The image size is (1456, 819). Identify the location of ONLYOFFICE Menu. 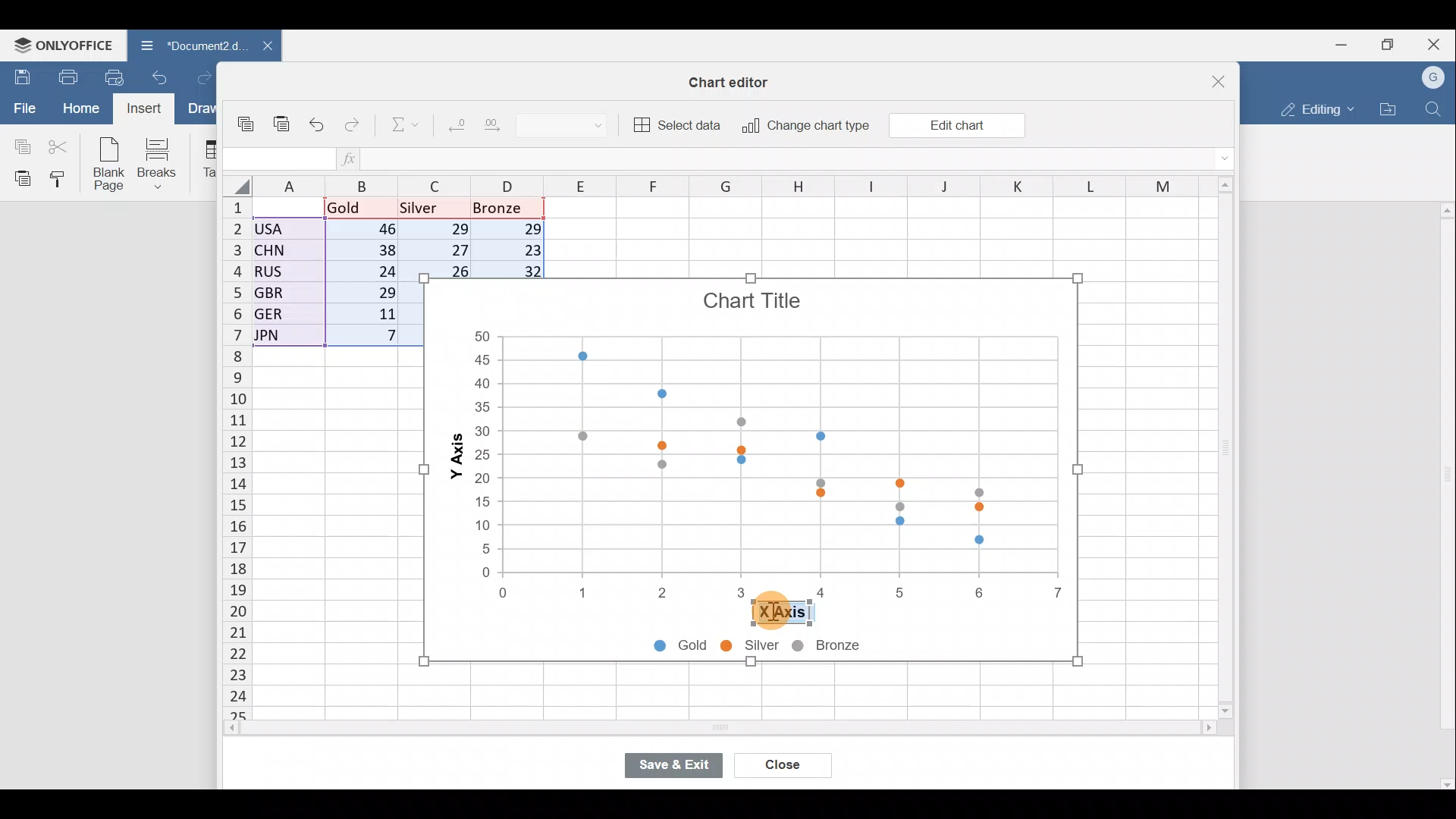
(62, 44).